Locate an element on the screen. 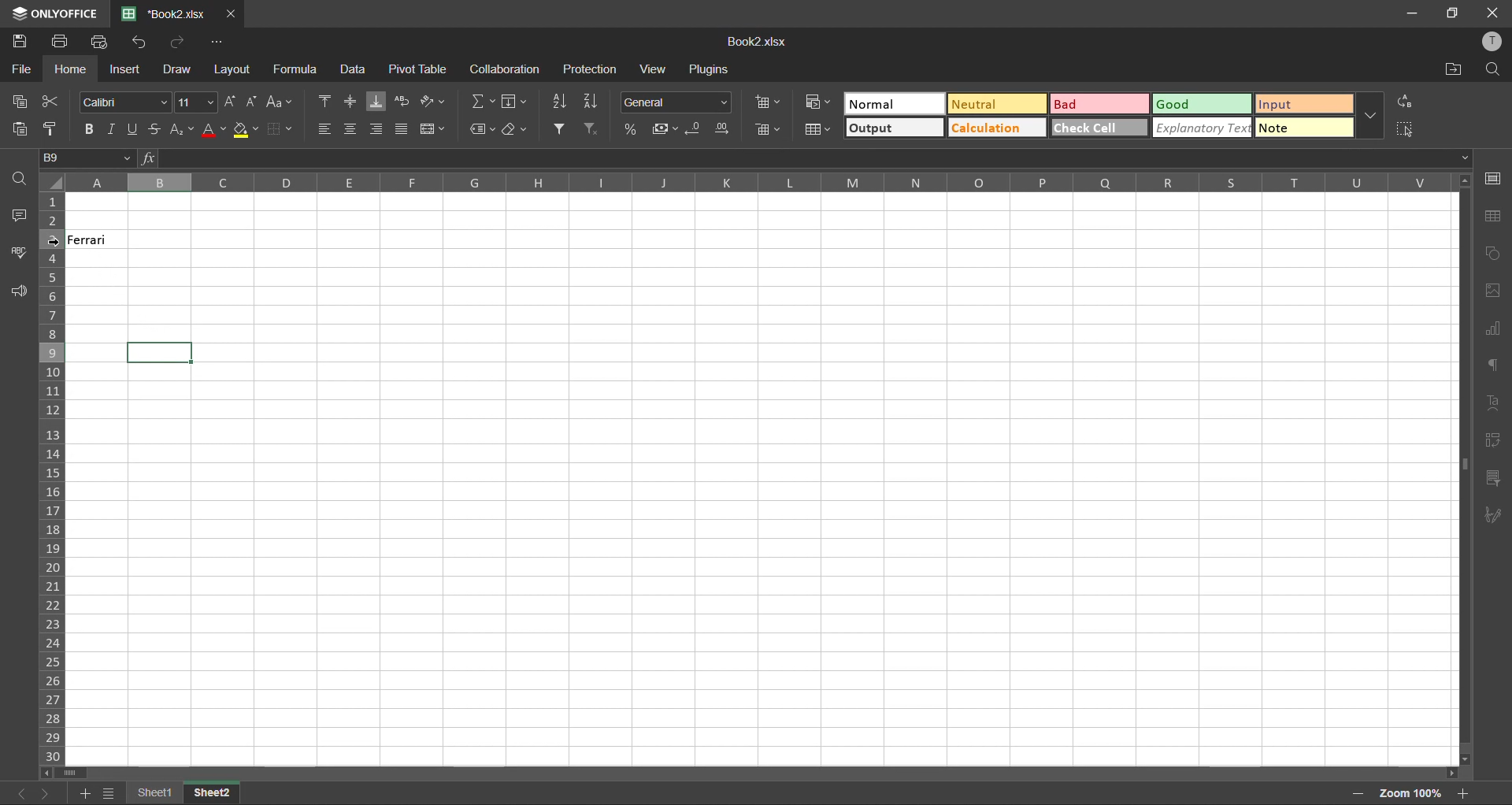  summation is located at coordinates (482, 101).